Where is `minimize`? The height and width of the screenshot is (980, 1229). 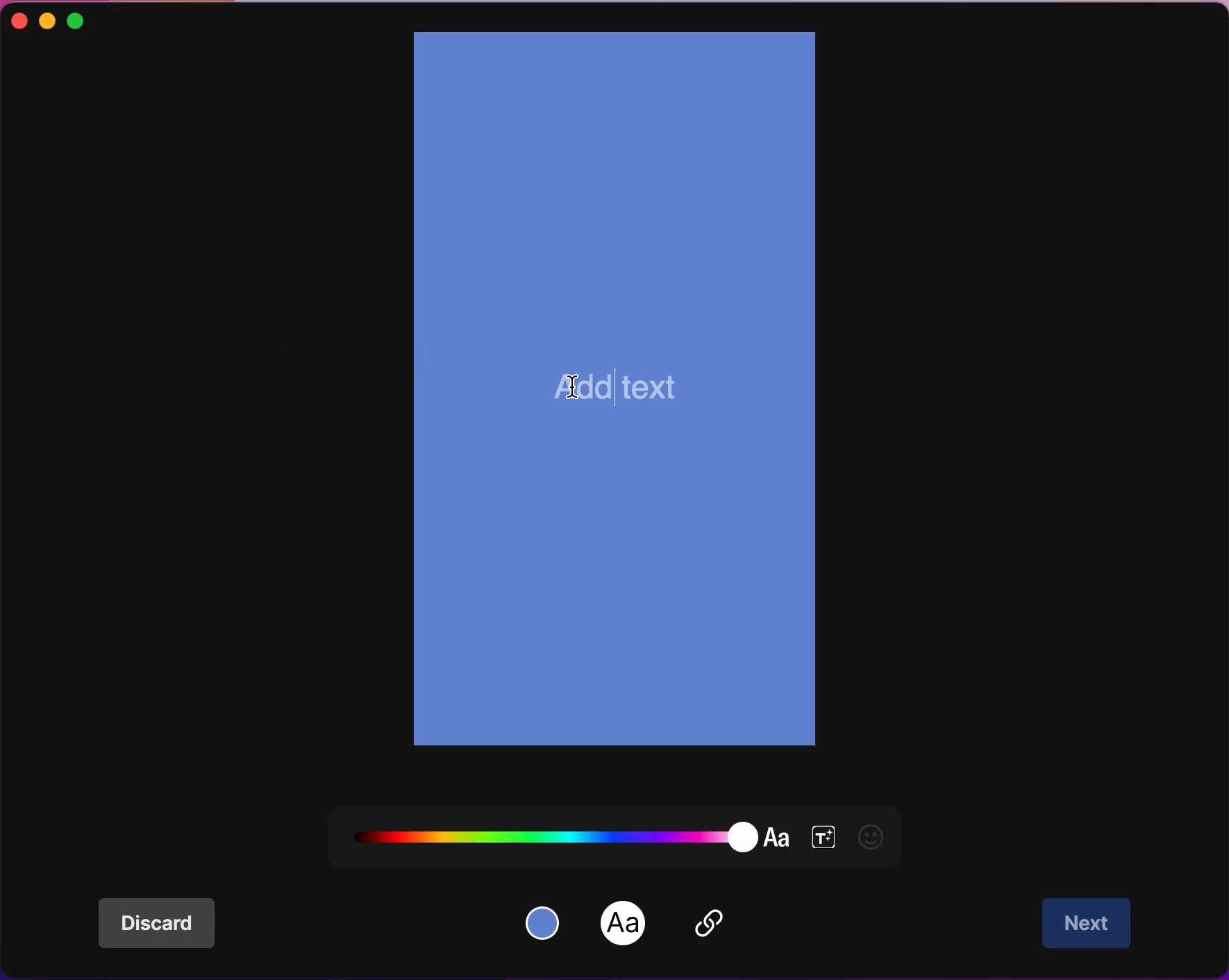
minimize is located at coordinates (48, 21).